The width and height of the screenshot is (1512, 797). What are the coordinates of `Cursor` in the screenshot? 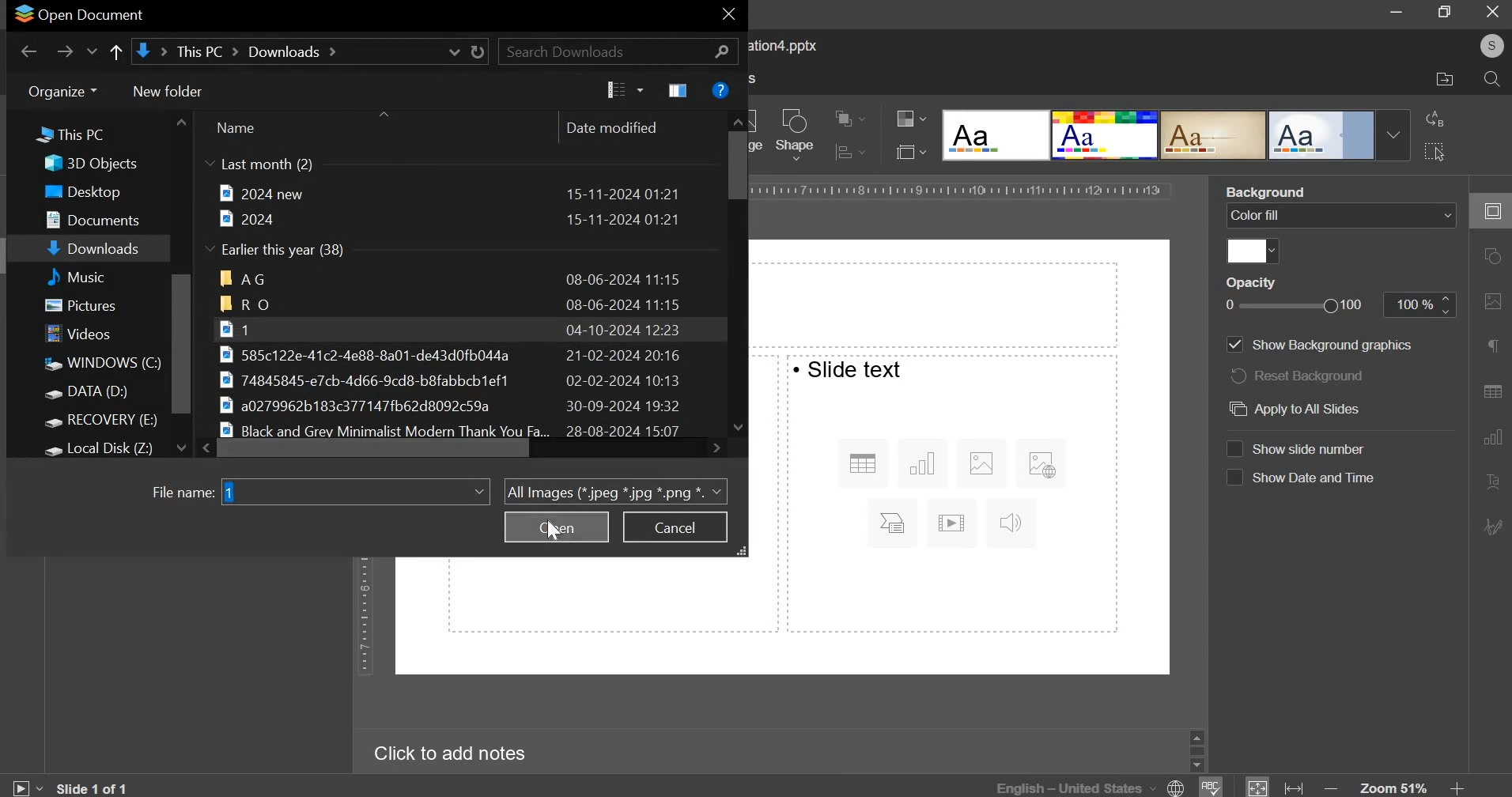 It's located at (550, 530).